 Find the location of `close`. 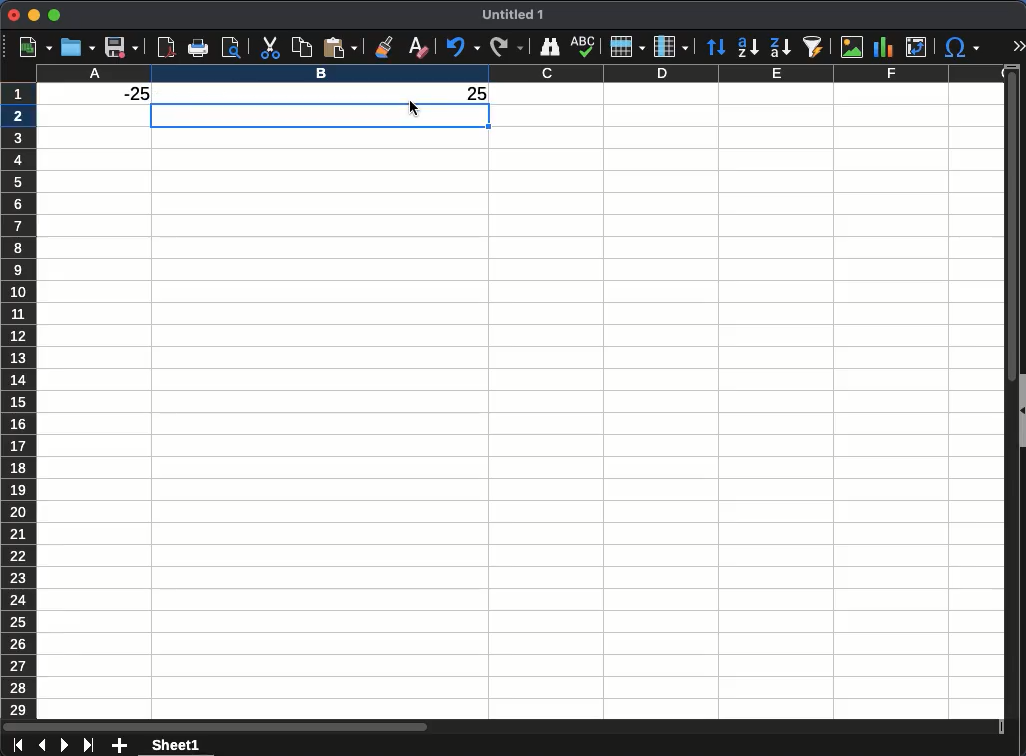

close is located at coordinates (11, 15).